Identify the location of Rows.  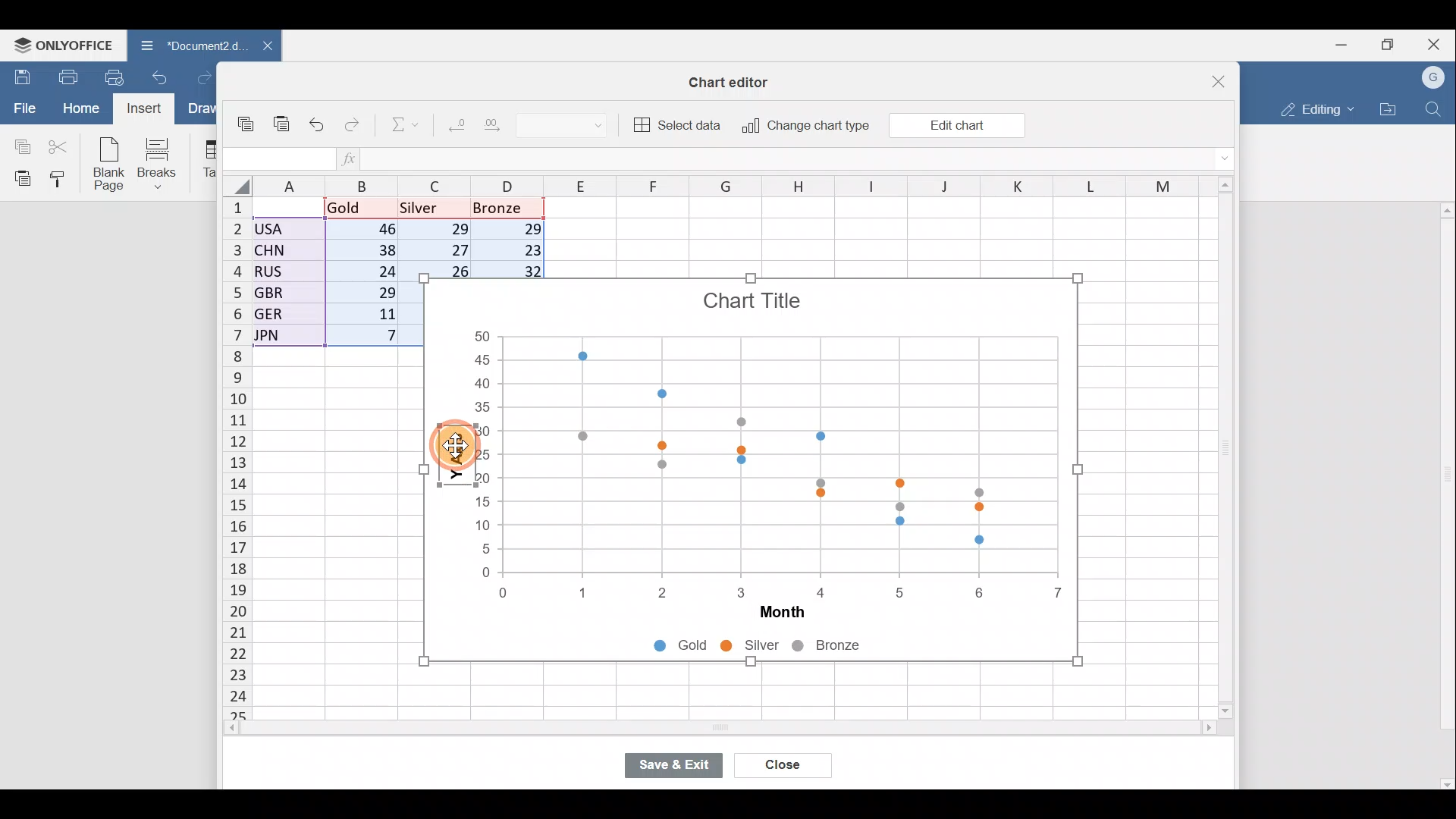
(227, 460).